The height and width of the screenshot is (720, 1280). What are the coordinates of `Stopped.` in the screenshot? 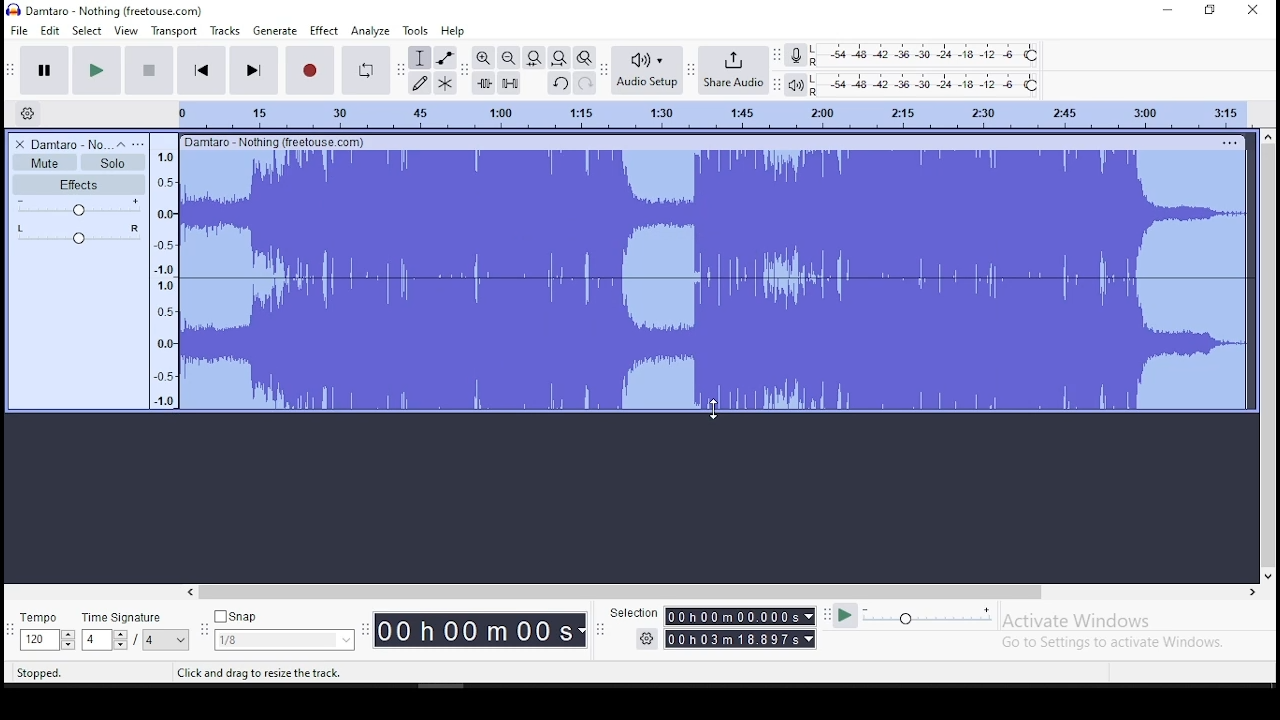 It's located at (42, 673).